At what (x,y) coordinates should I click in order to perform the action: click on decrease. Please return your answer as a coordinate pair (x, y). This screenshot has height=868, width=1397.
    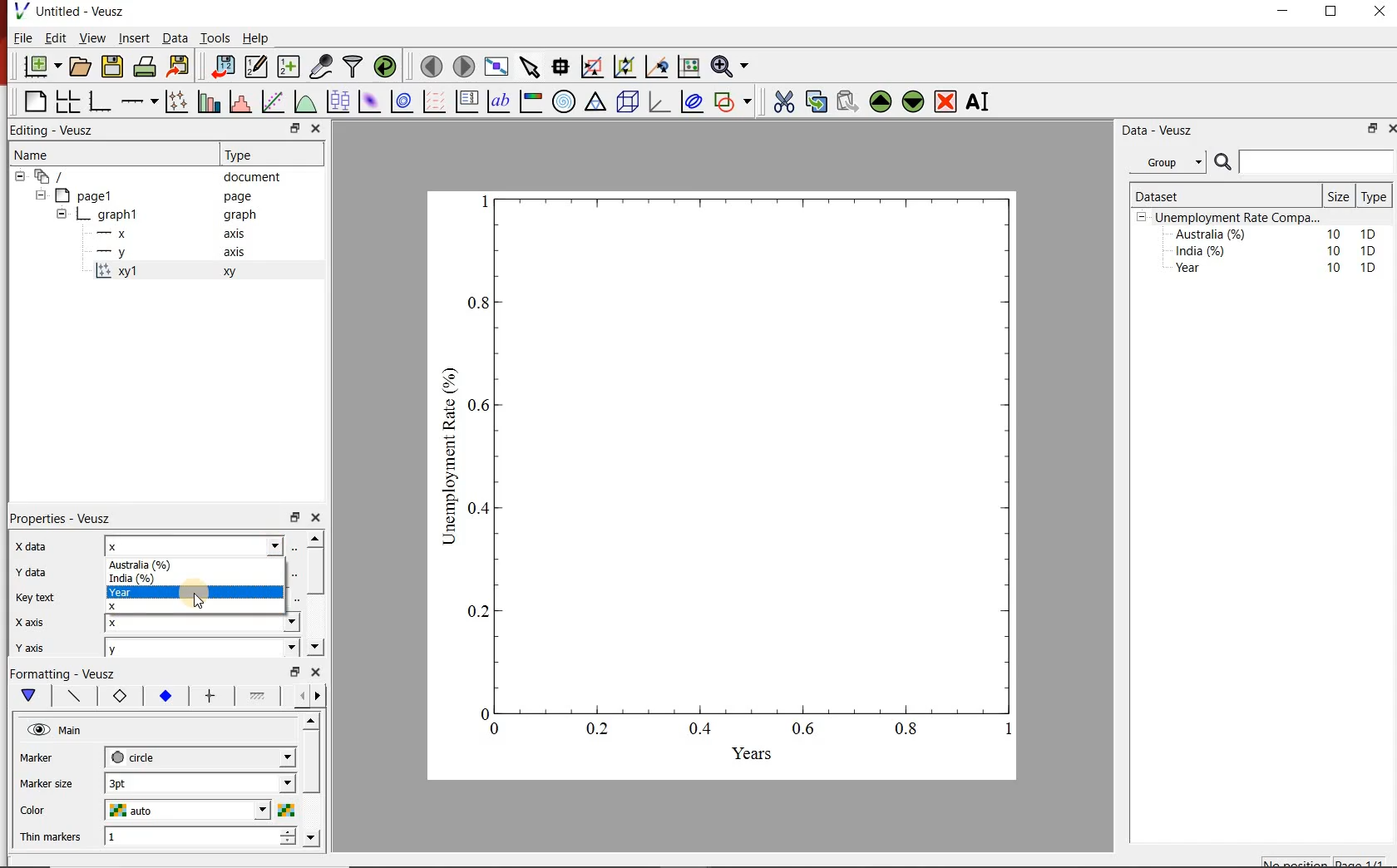
    Looking at the image, I should click on (288, 845).